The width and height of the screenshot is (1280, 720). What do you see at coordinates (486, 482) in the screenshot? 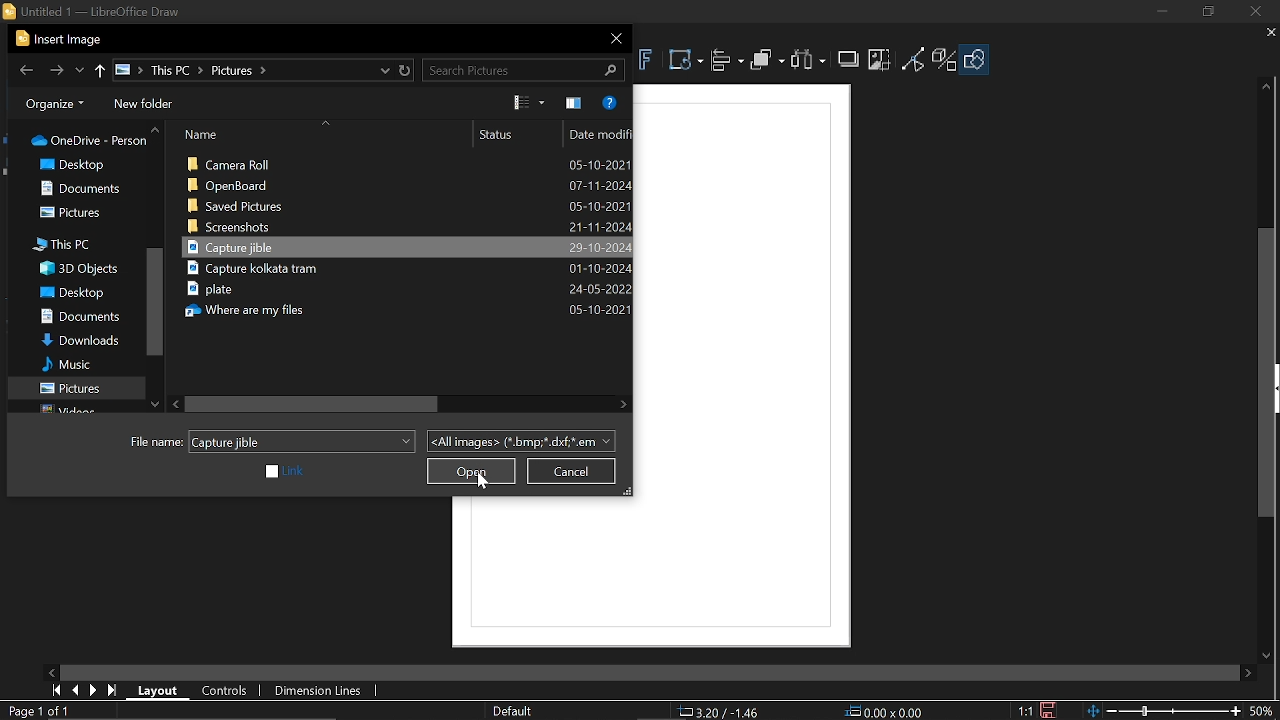
I see `Cursor` at bounding box center [486, 482].